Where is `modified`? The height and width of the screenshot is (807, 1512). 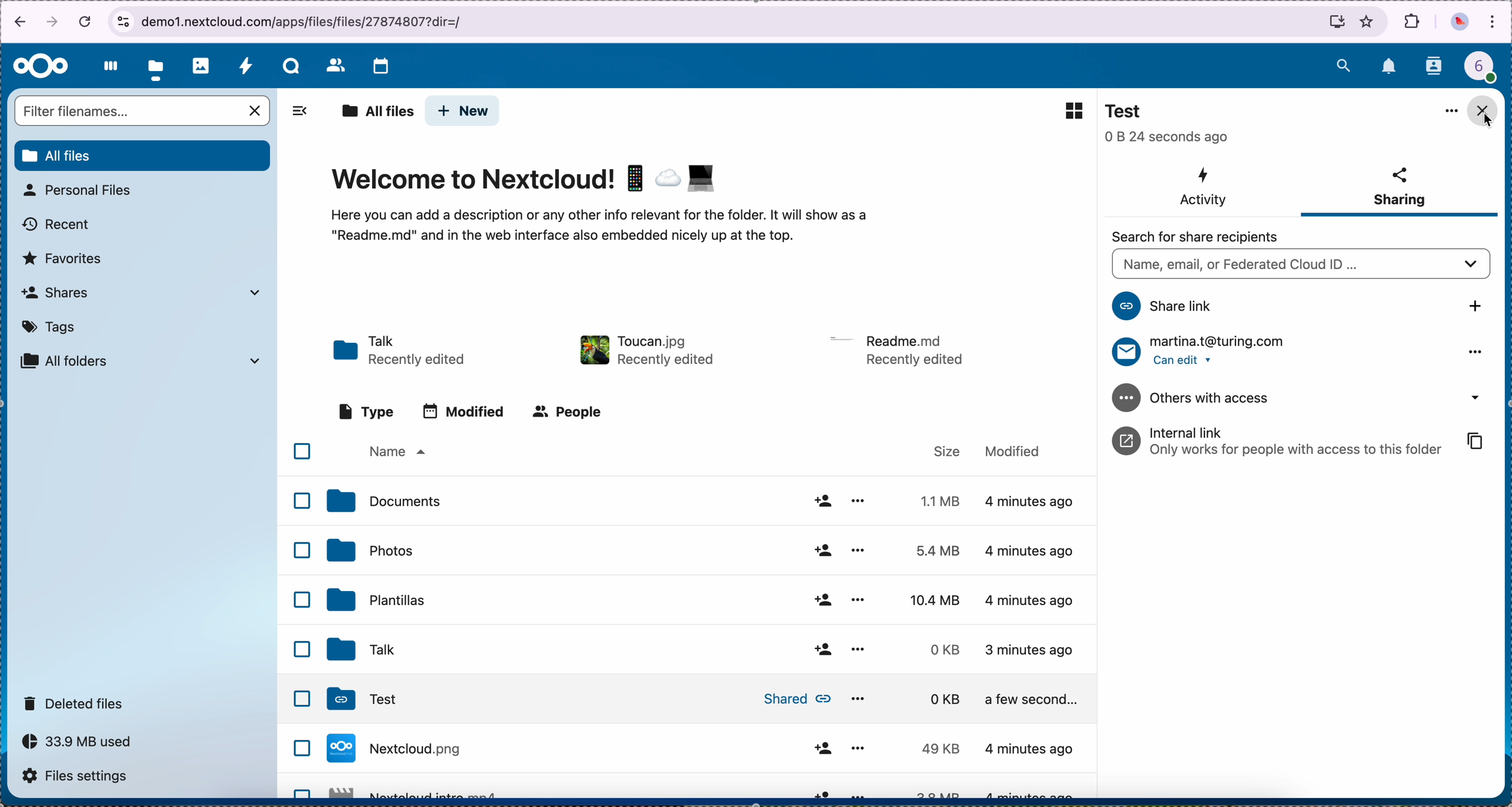 modified is located at coordinates (468, 413).